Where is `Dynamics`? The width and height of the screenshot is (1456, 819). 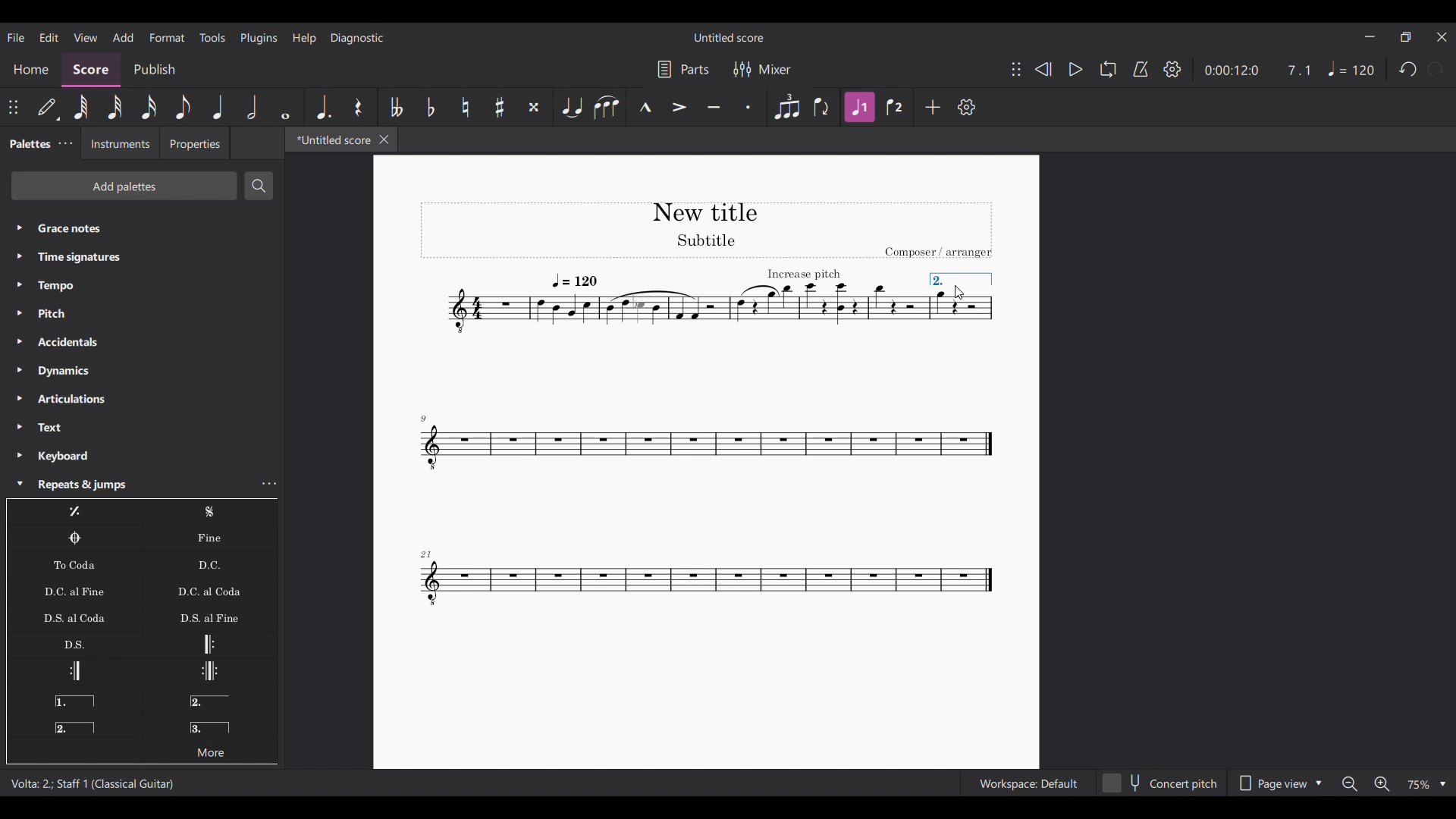
Dynamics is located at coordinates (142, 371).